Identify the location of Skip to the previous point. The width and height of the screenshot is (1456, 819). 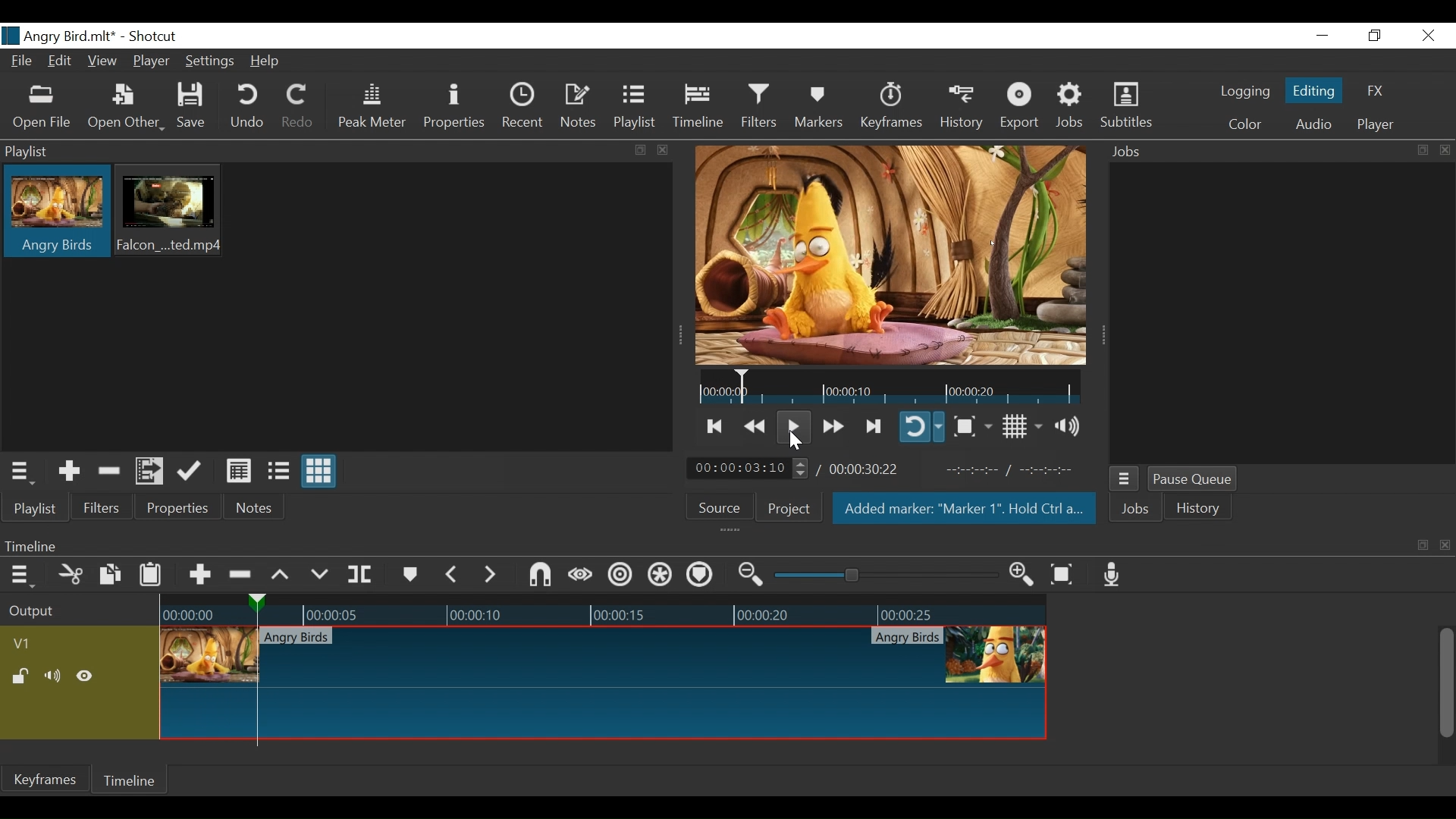
(715, 425).